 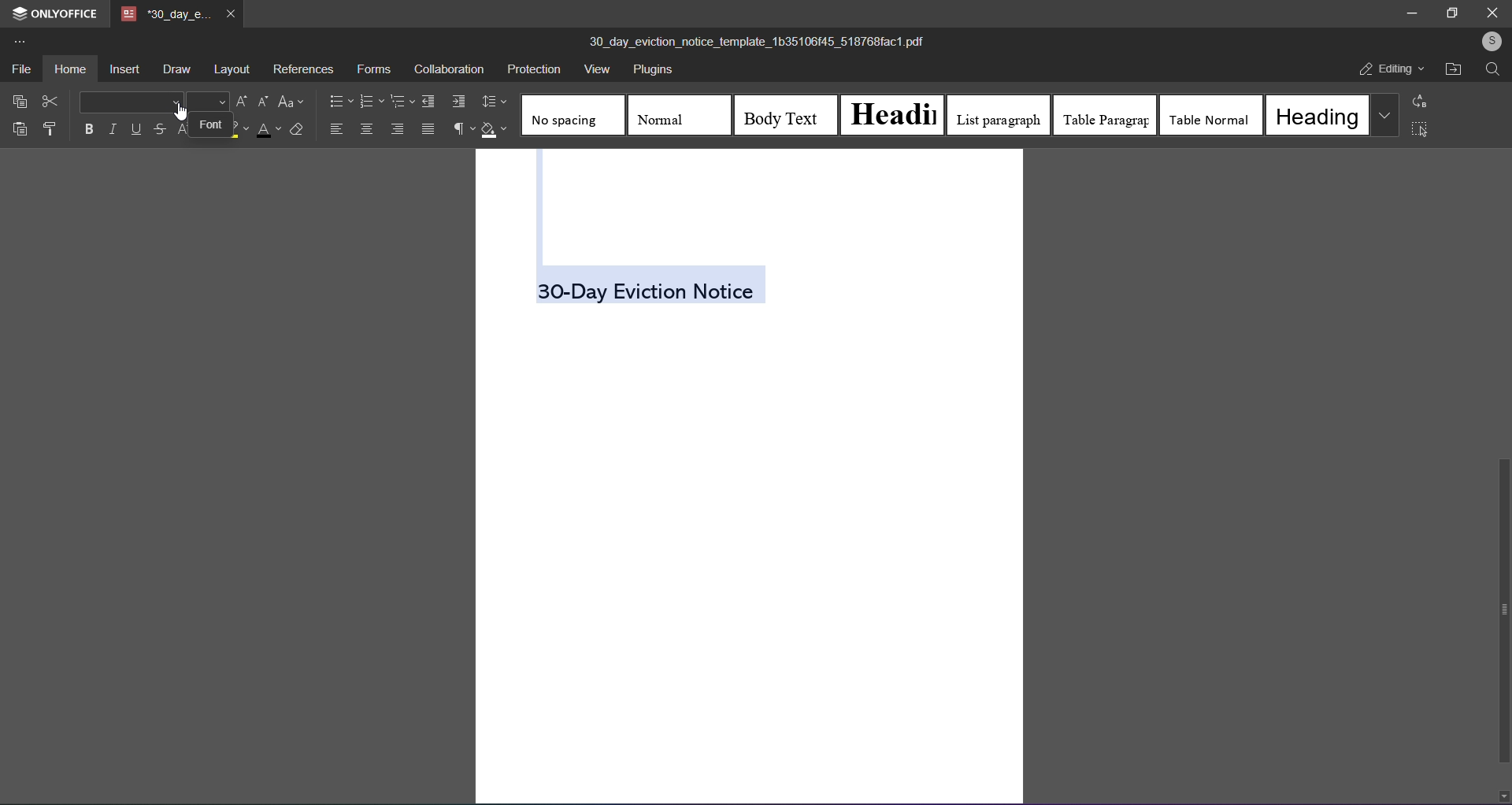 What do you see at coordinates (165, 14) in the screenshot?
I see `tab name` at bounding box center [165, 14].